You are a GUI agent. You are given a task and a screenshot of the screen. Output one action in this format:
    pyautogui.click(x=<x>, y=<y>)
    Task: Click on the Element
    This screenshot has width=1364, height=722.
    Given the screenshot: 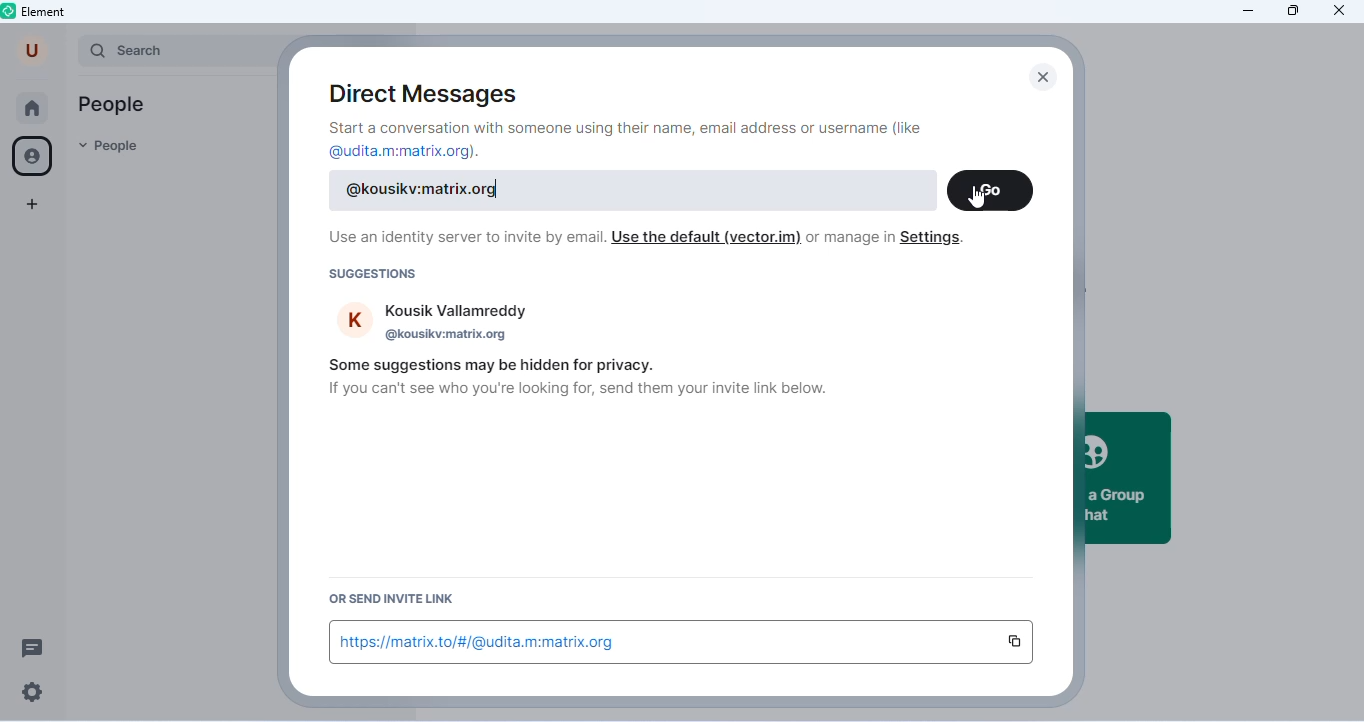 What is the action you would take?
    pyautogui.click(x=36, y=12)
    